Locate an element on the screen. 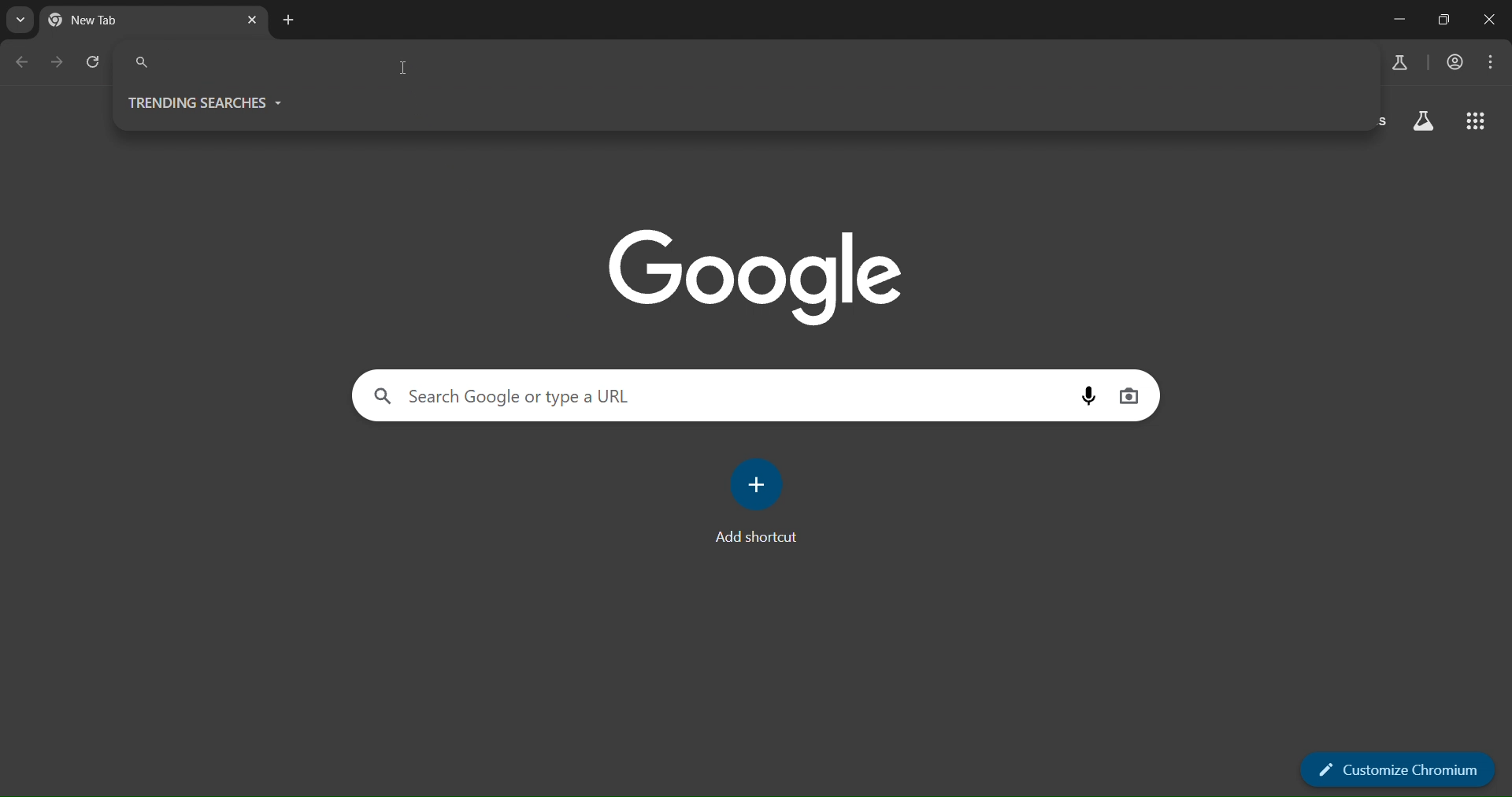  go back one page is located at coordinates (25, 62).